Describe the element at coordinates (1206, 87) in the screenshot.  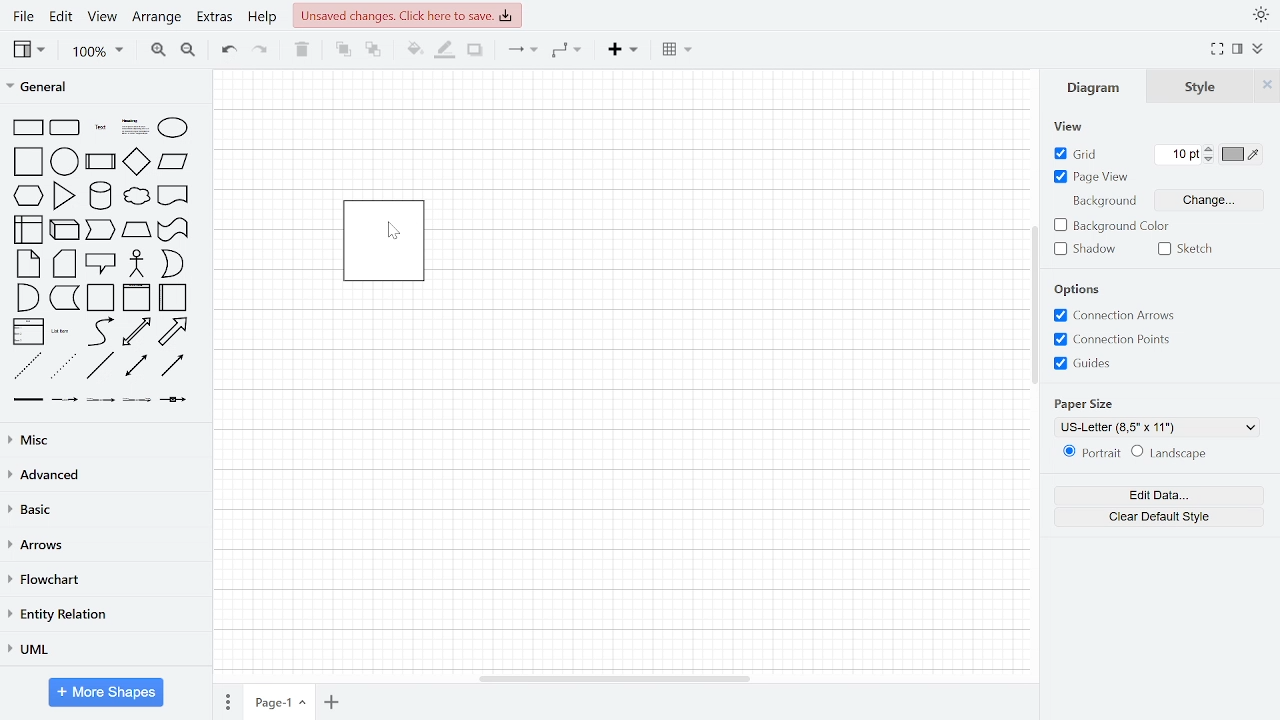
I see `style` at that location.